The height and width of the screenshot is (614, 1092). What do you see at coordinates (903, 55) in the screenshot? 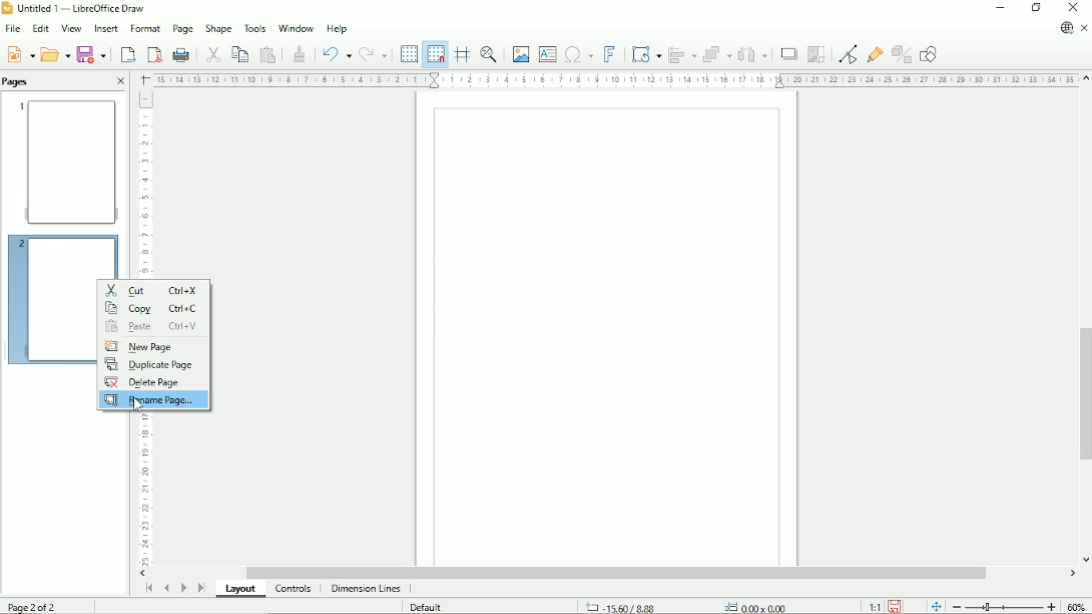
I see `Toggle extrusion` at bounding box center [903, 55].